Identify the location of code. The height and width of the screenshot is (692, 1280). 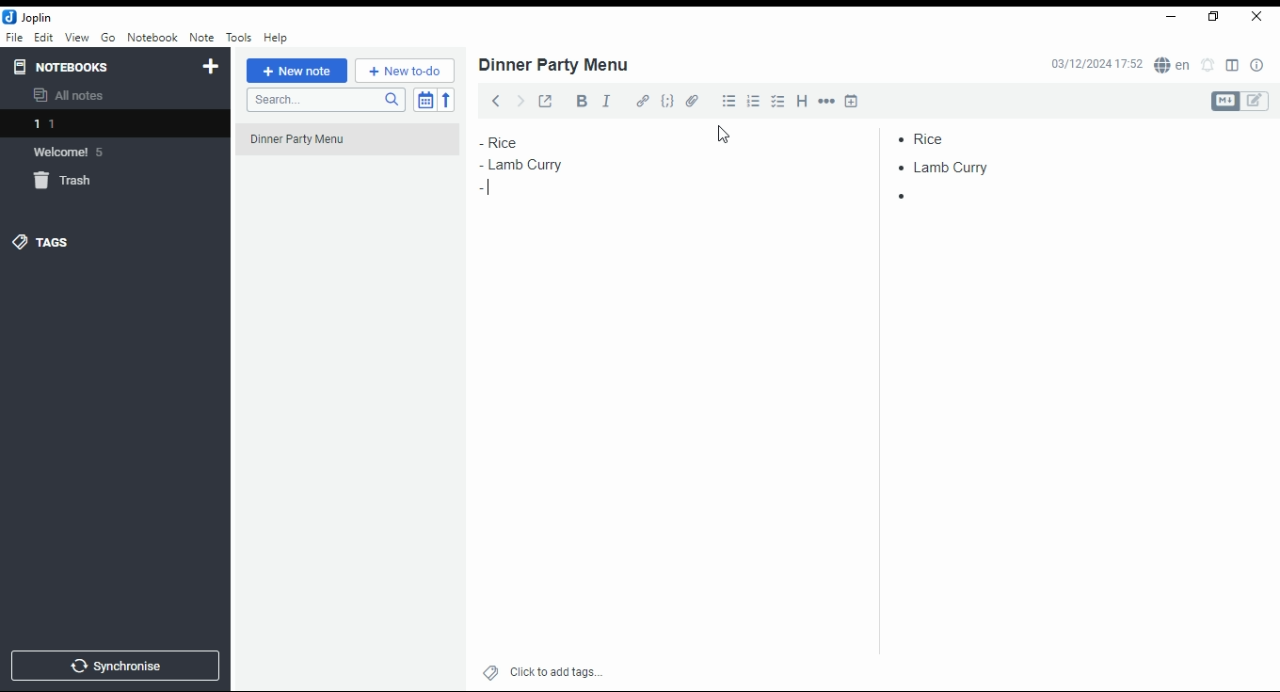
(669, 103).